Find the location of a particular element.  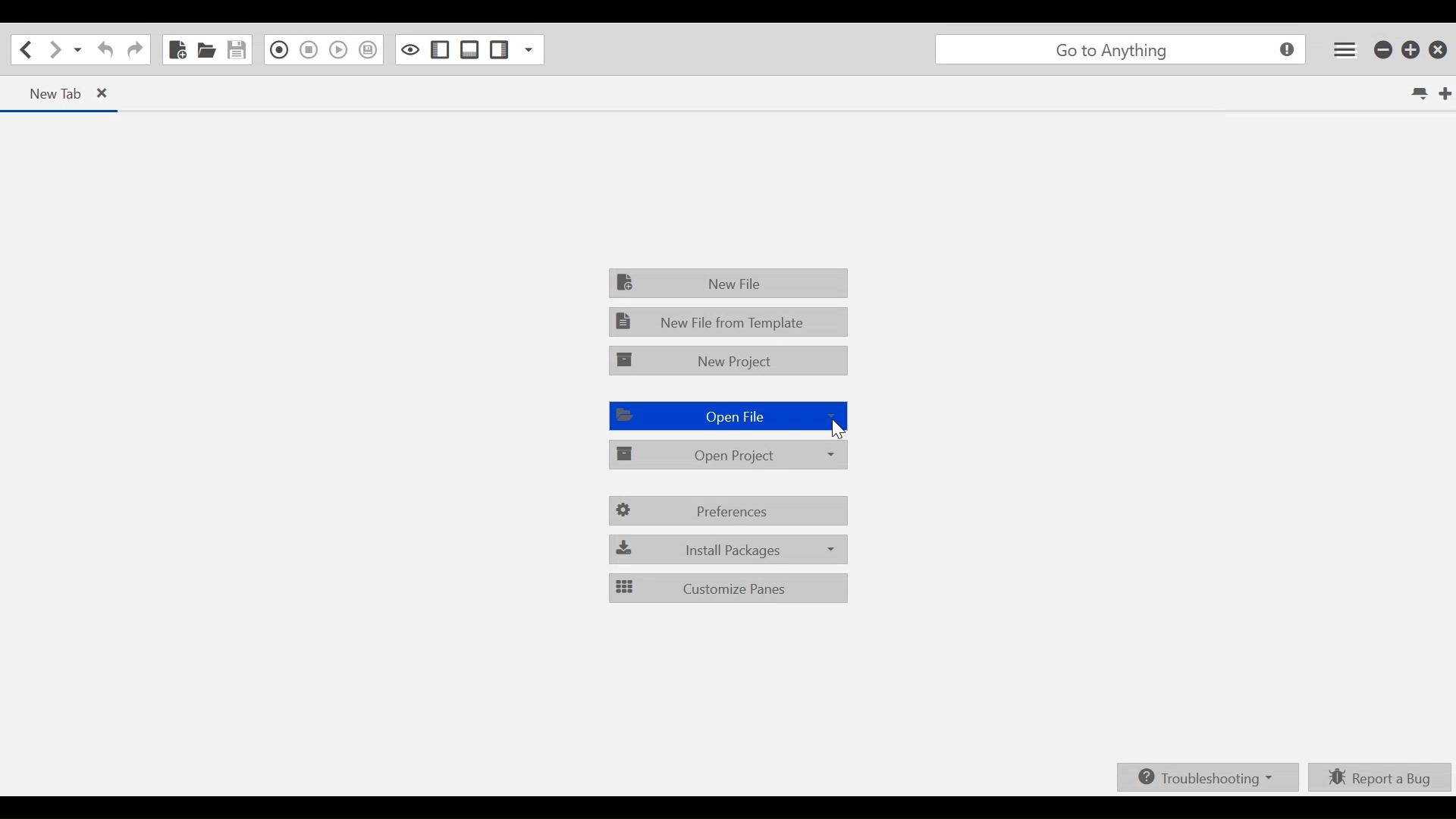

Open File is located at coordinates (726, 416).